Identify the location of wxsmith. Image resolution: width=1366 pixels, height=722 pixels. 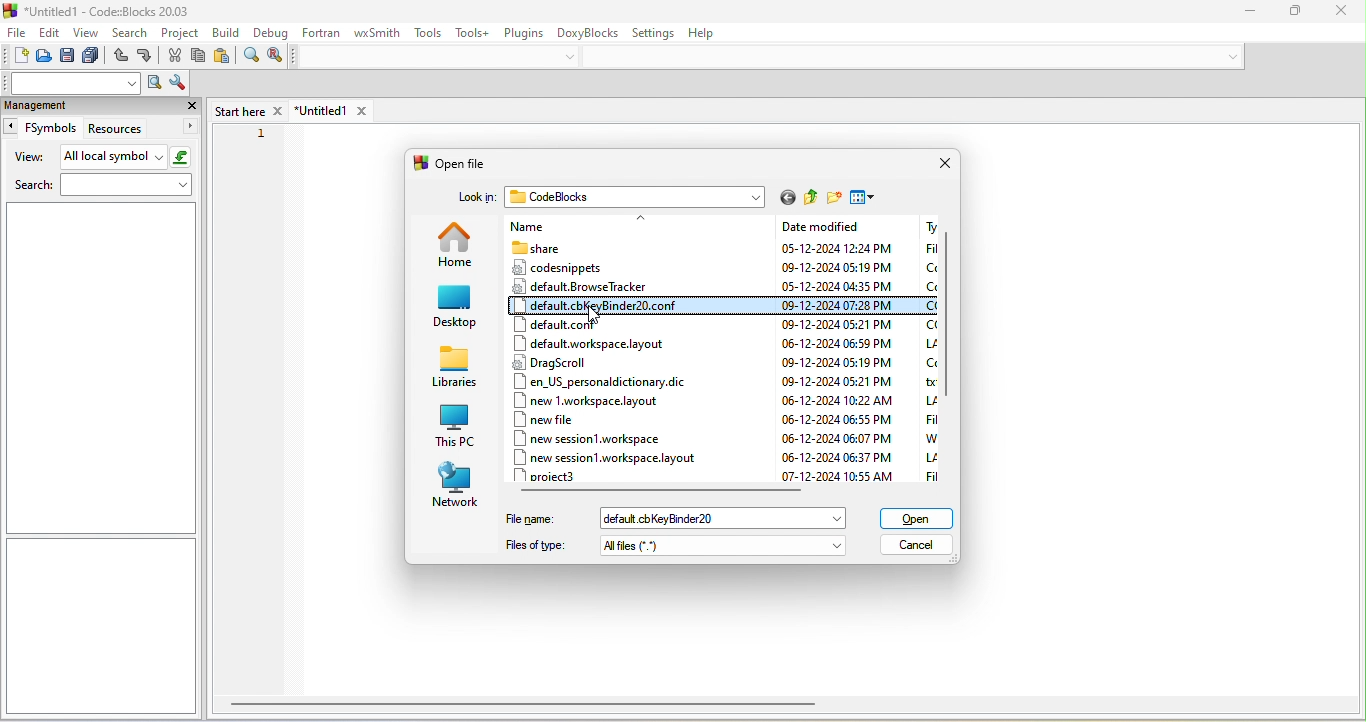
(377, 36).